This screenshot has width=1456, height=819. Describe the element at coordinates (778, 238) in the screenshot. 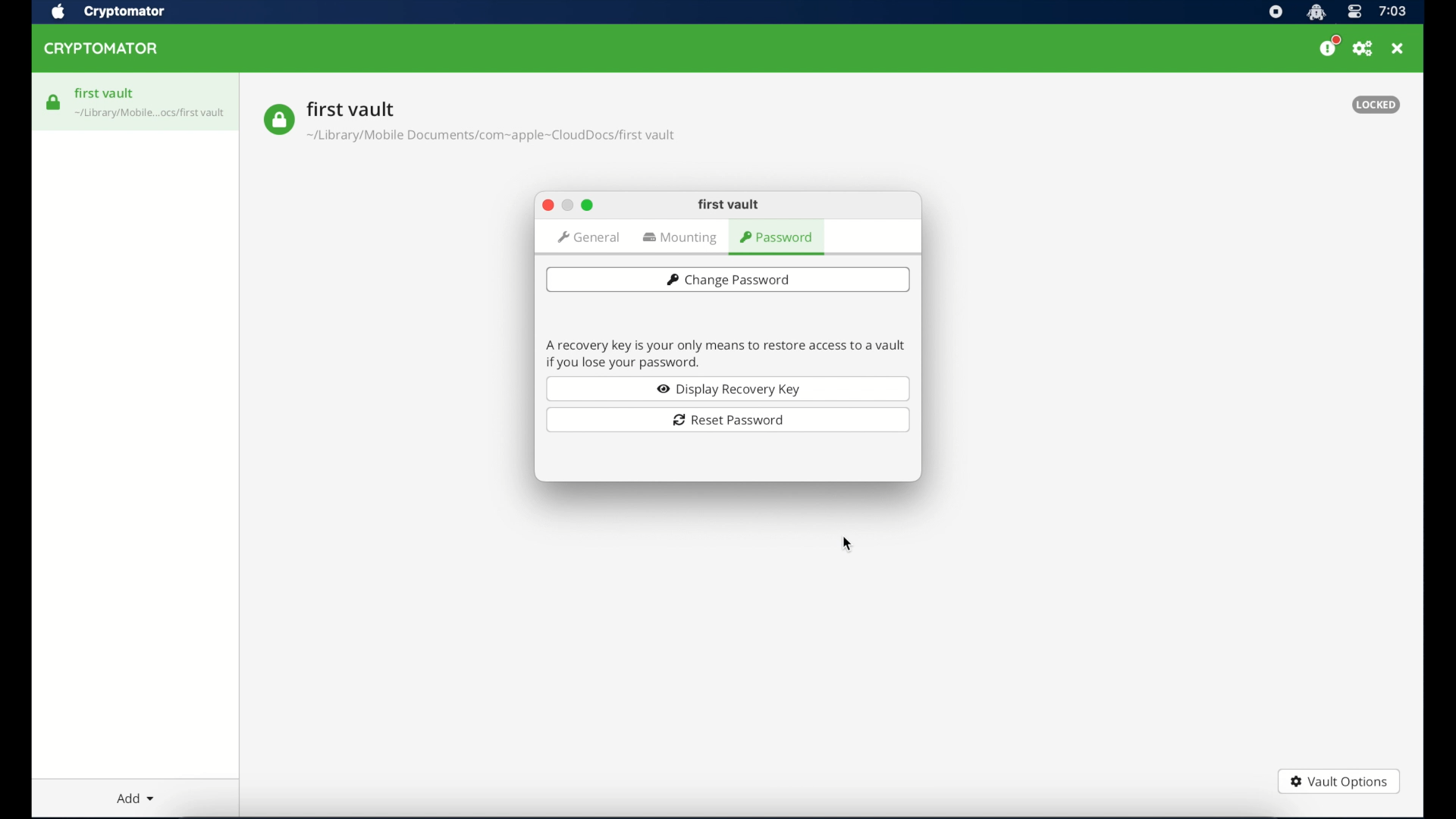

I see `password` at that location.